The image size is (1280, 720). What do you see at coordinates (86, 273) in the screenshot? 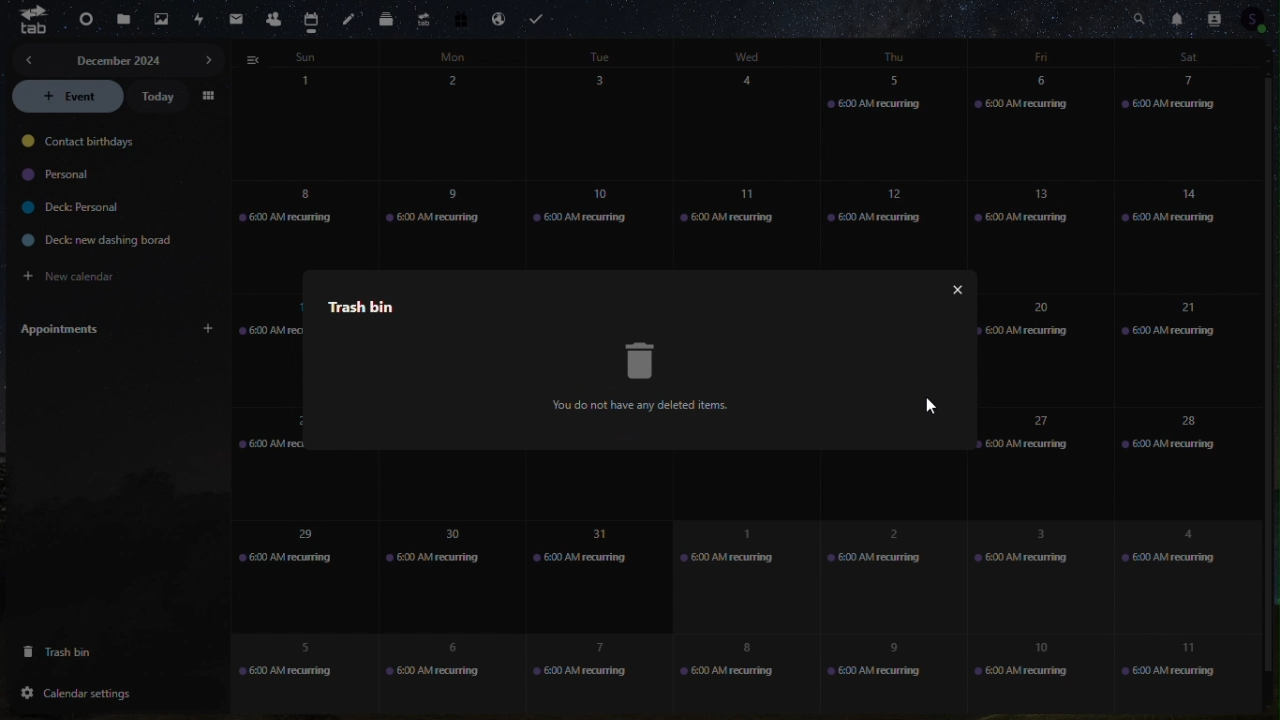
I see `new calendar` at bounding box center [86, 273].